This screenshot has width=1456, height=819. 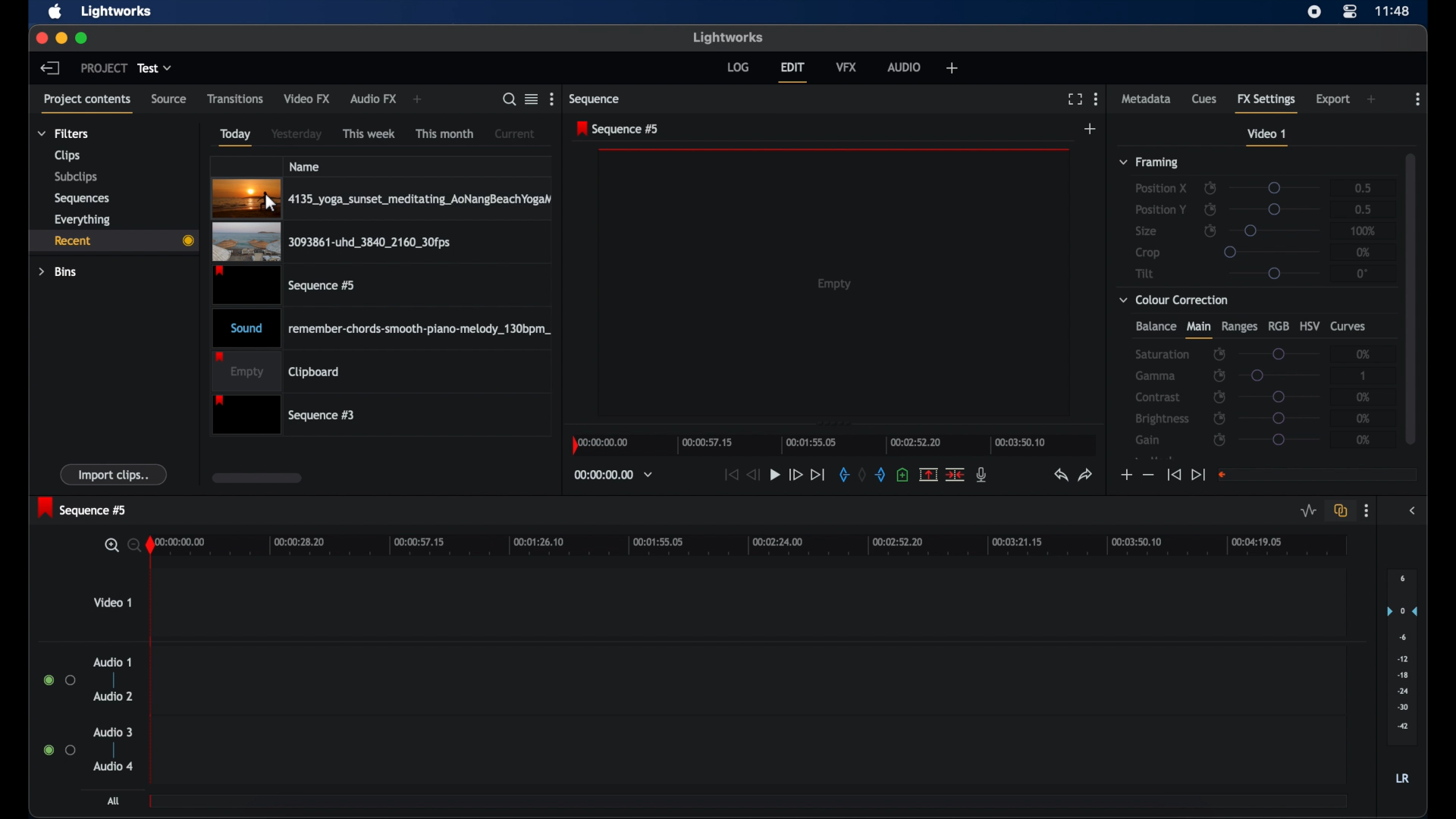 What do you see at coordinates (1279, 325) in the screenshot?
I see `rgb` at bounding box center [1279, 325].